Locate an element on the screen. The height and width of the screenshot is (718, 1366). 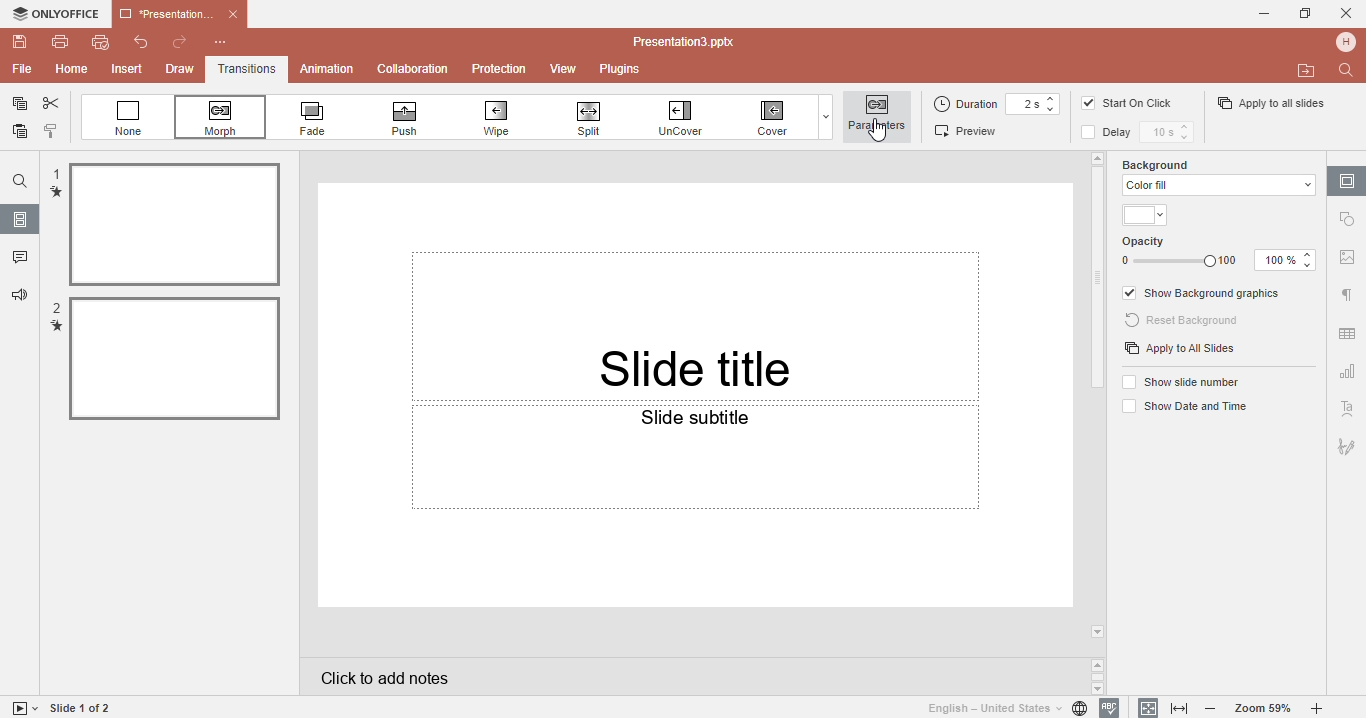
View is located at coordinates (566, 70).